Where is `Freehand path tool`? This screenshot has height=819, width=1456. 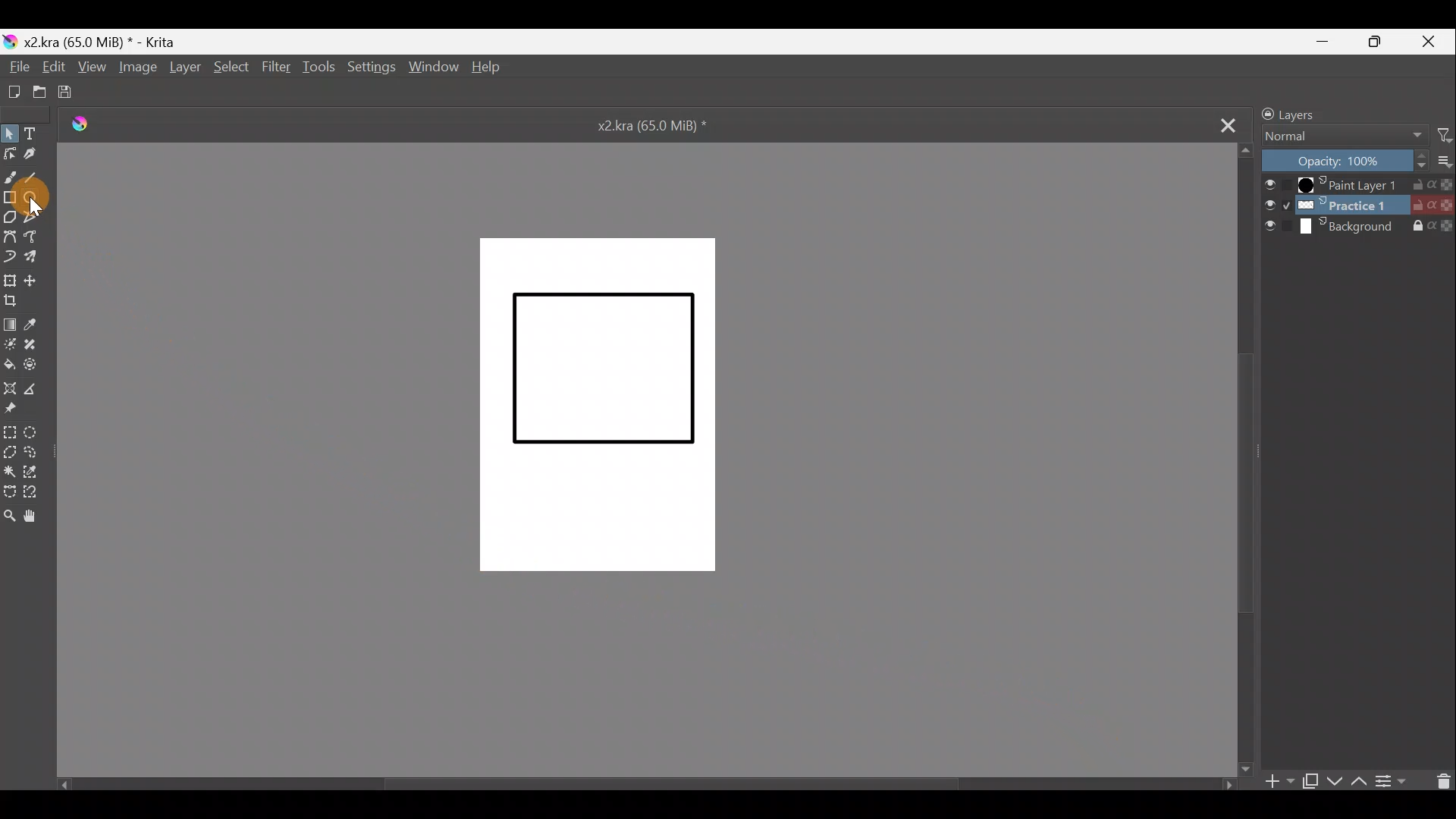 Freehand path tool is located at coordinates (34, 238).